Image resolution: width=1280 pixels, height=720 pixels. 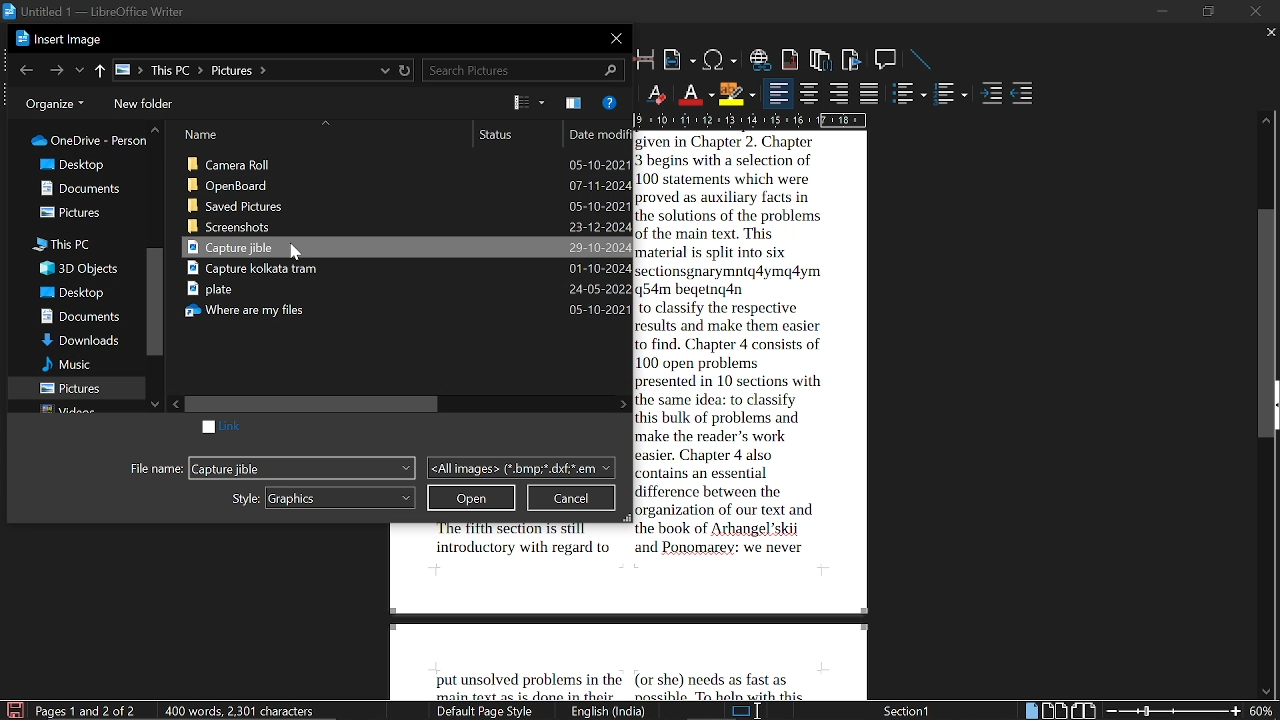 What do you see at coordinates (151, 300) in the screenshot?
I see `vertical scrollbar` at bounding box center [151, 300].